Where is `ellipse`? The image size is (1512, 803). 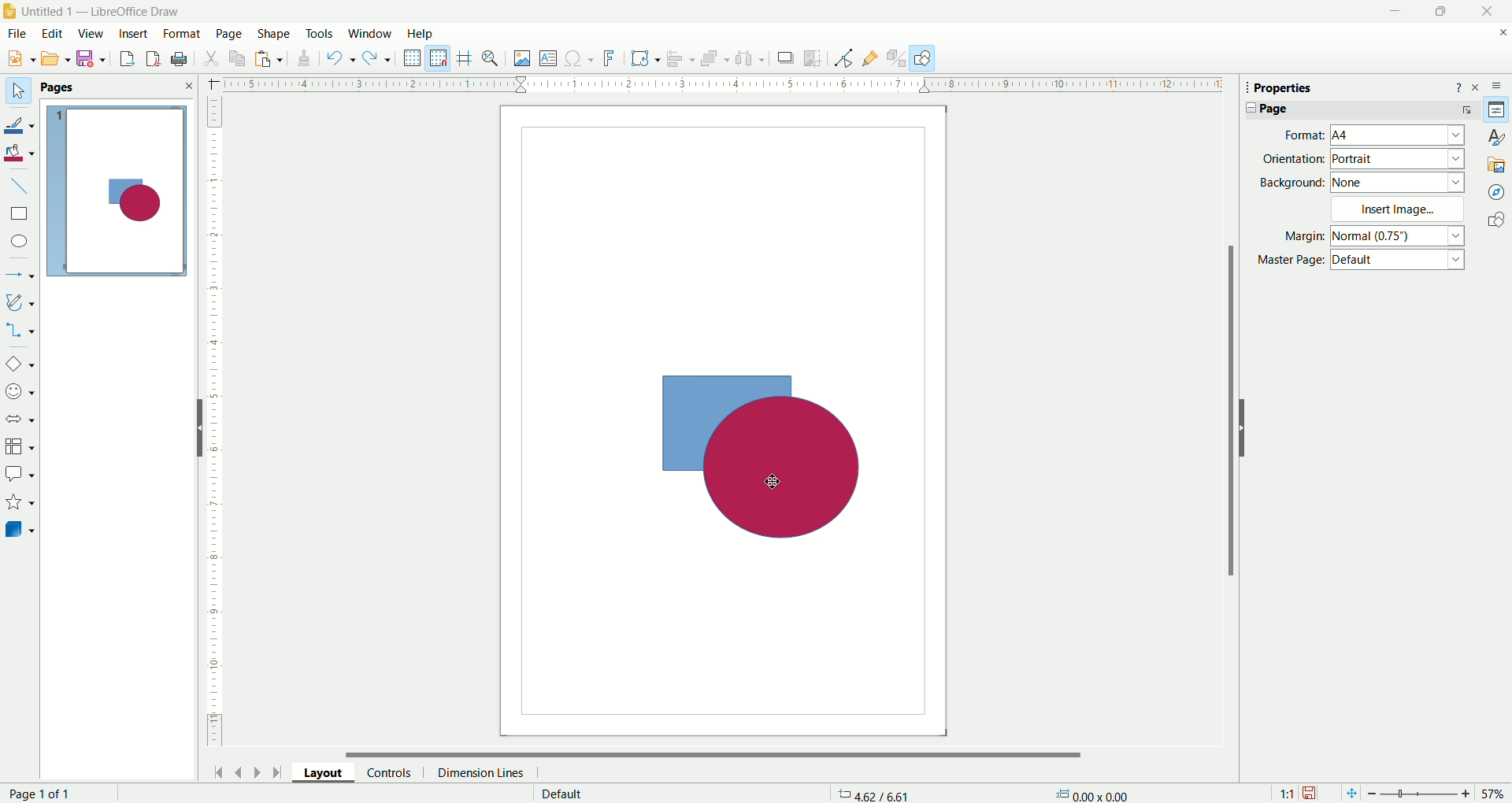 ellipse is located at coordinates (18, 242).